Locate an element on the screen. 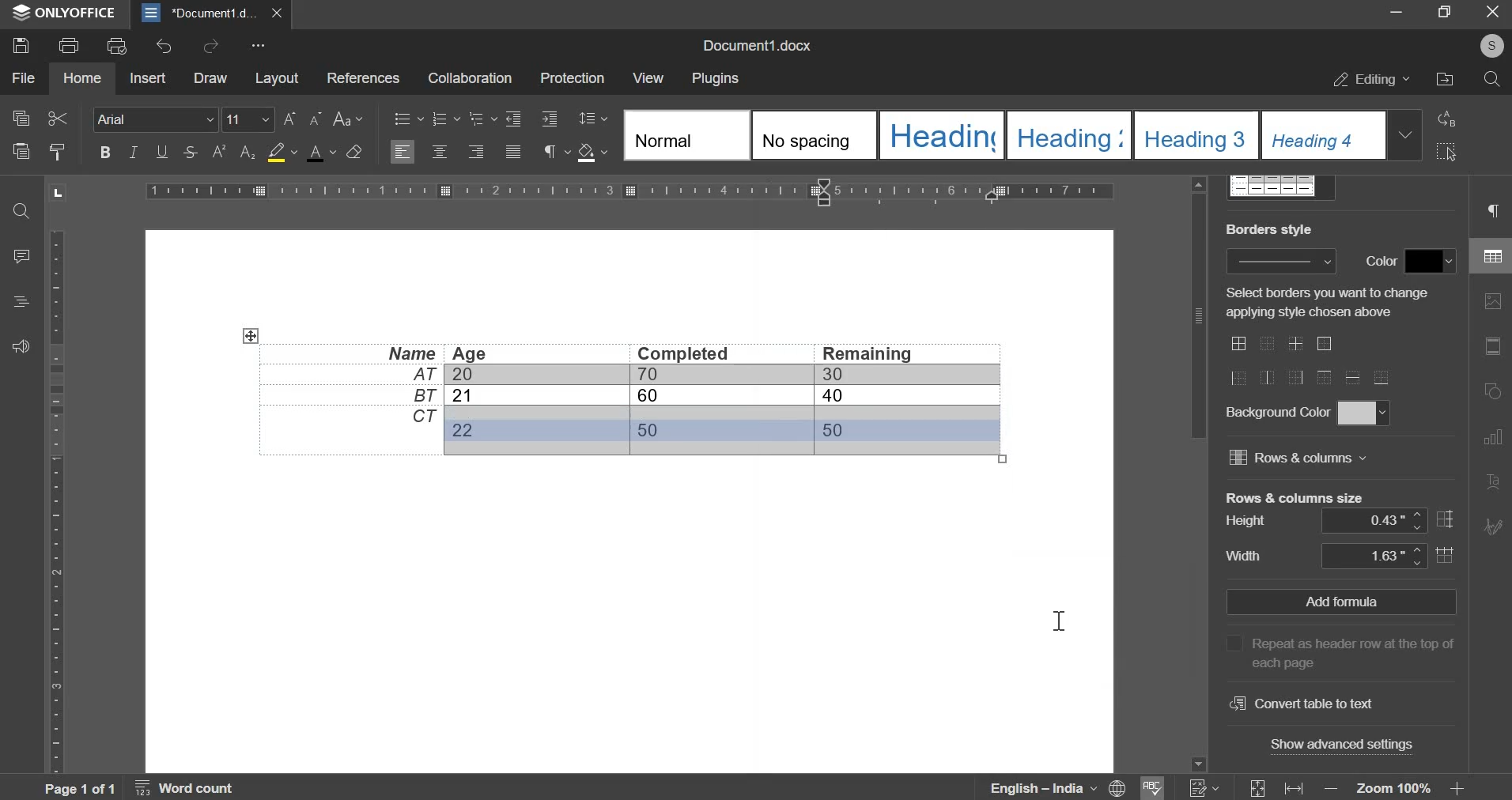 This screenshot has height=800, width=1512. increase indent is located at coordinates (513, 118).